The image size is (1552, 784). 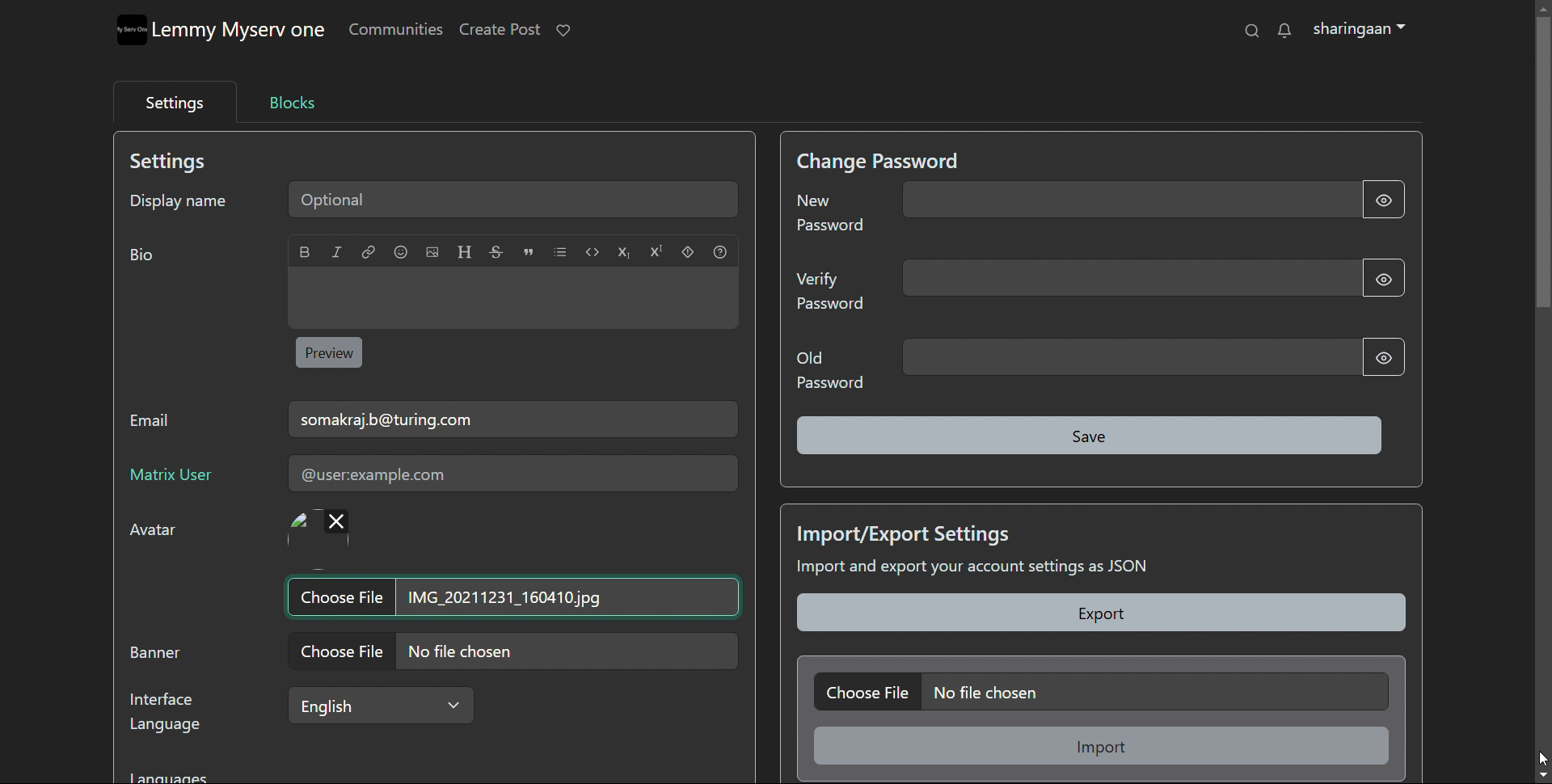 I want to click on preview, so click(x=330, y=352).